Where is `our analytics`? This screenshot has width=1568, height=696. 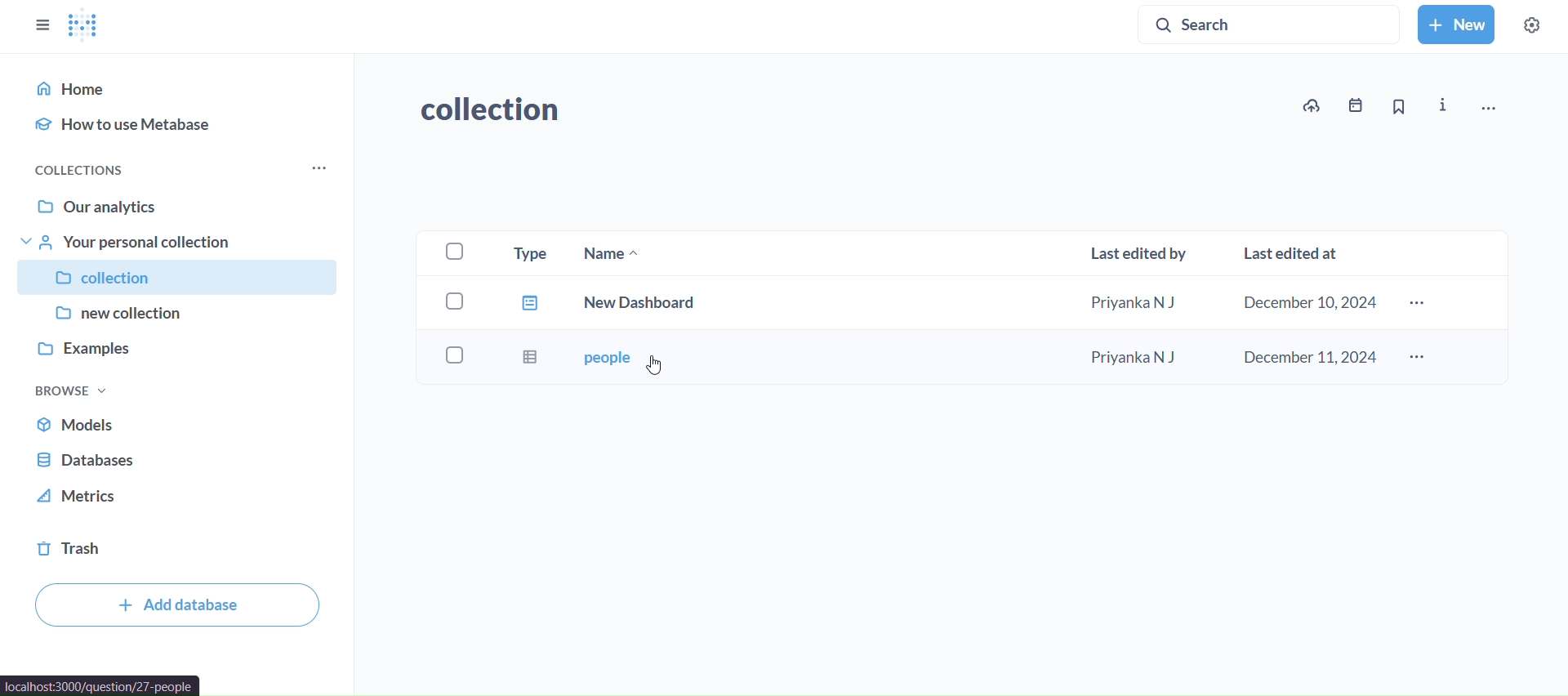
our analytics is located at coordinates (179, 209).